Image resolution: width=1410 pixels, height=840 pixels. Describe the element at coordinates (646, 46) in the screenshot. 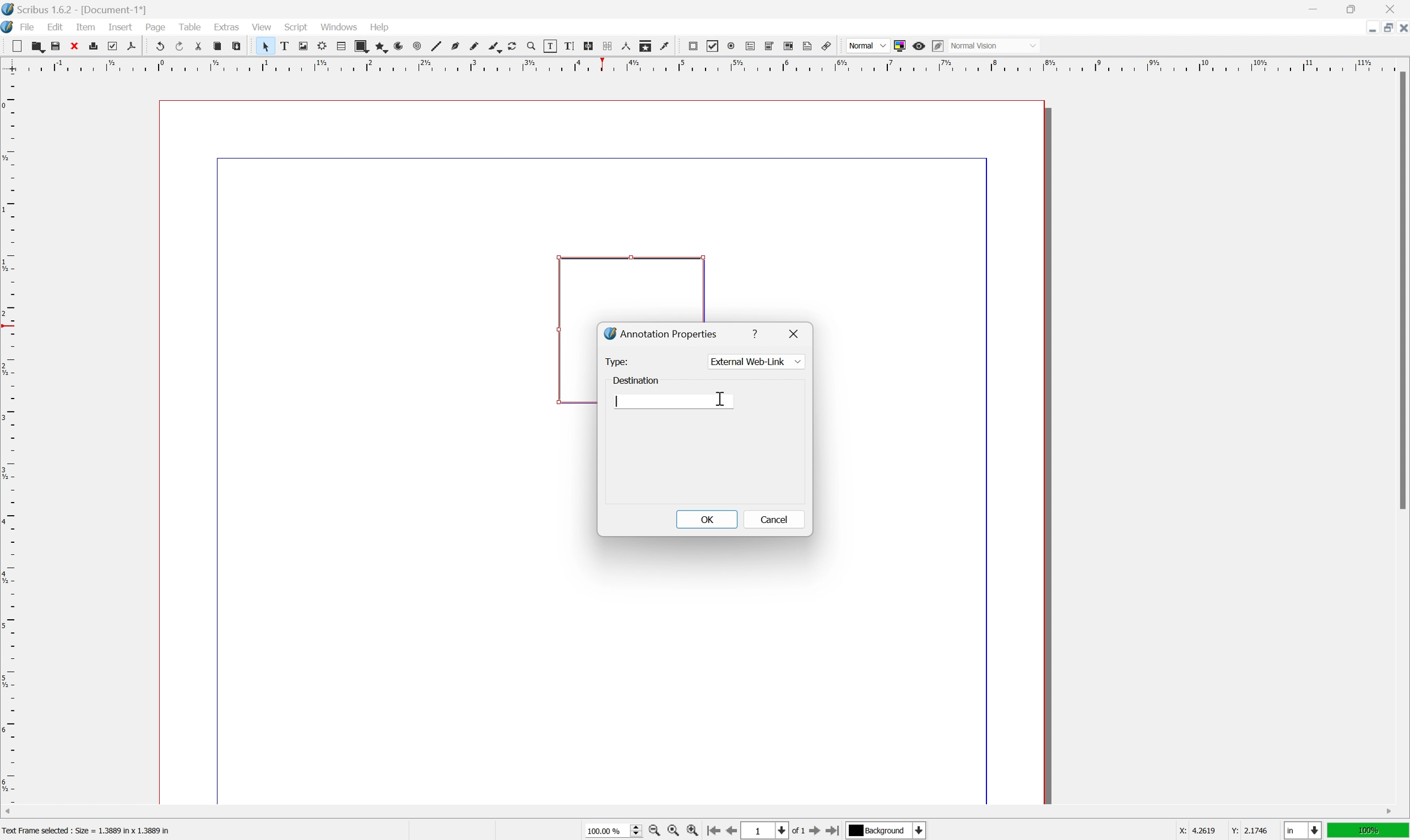

I see `copy item properties` at that location.